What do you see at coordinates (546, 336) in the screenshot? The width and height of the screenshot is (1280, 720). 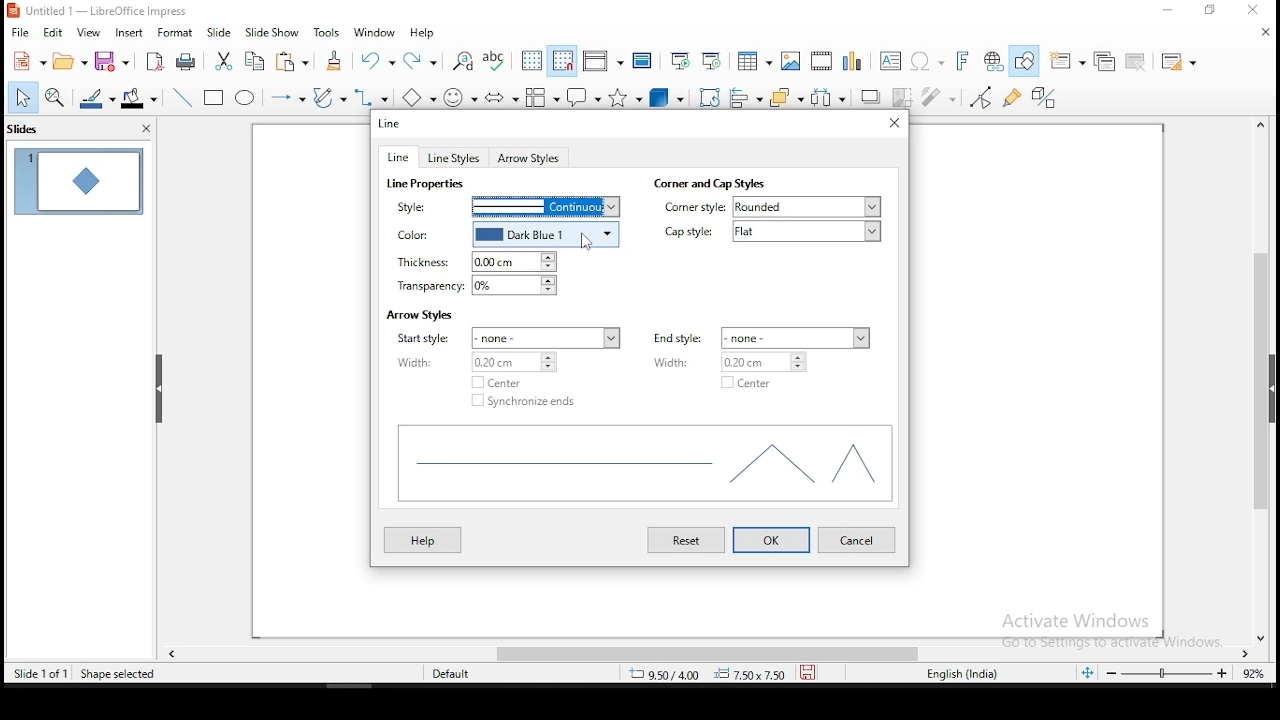 I see `none` at bounding box center [546, 336].